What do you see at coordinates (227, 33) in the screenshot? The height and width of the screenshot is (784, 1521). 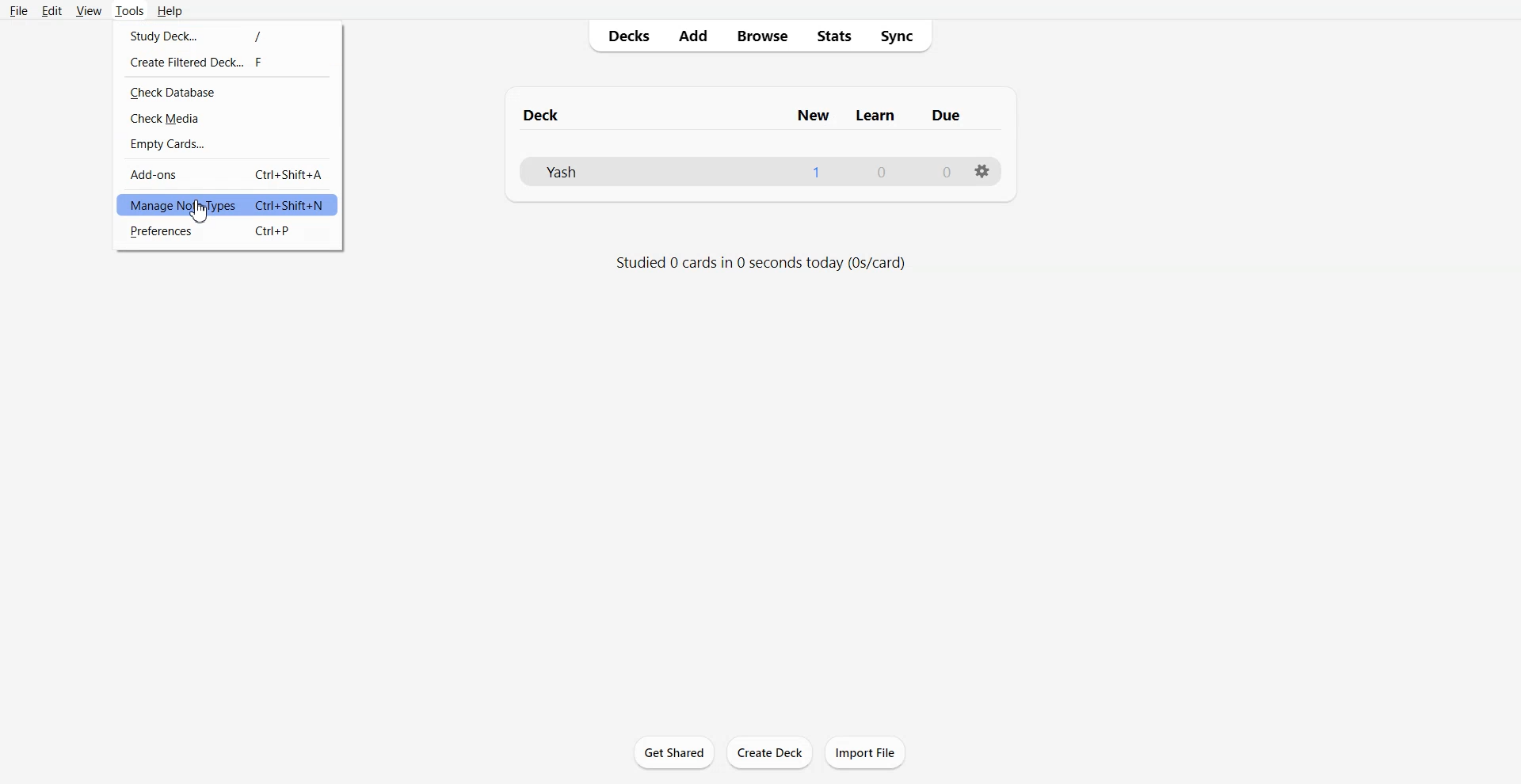 I see `Study Deck` at bounding box center [227, 33].